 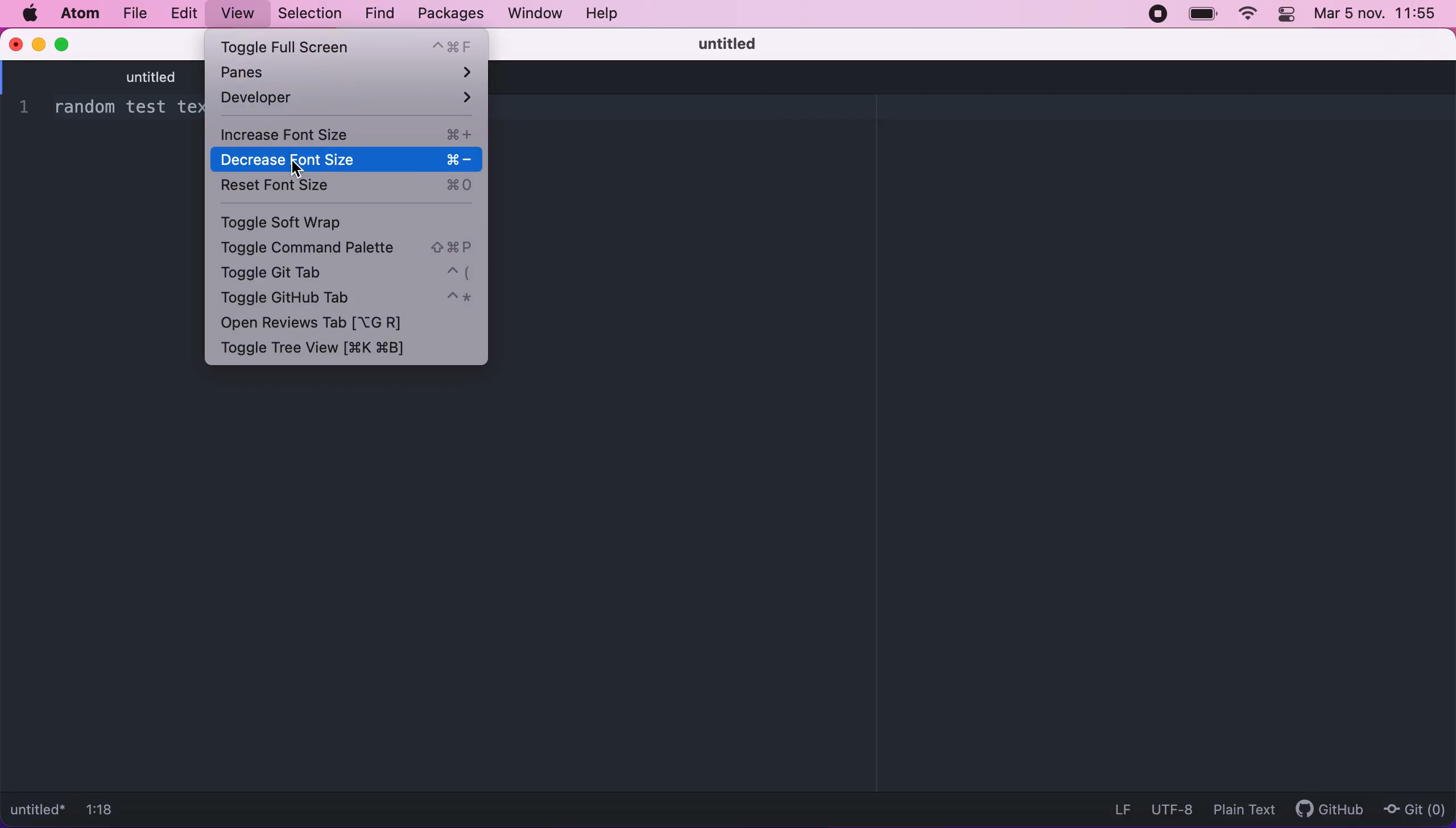 What do you see at coordinates (722, 42) in the screenshot?
I see `untitled` at bounding box center [722, 42].